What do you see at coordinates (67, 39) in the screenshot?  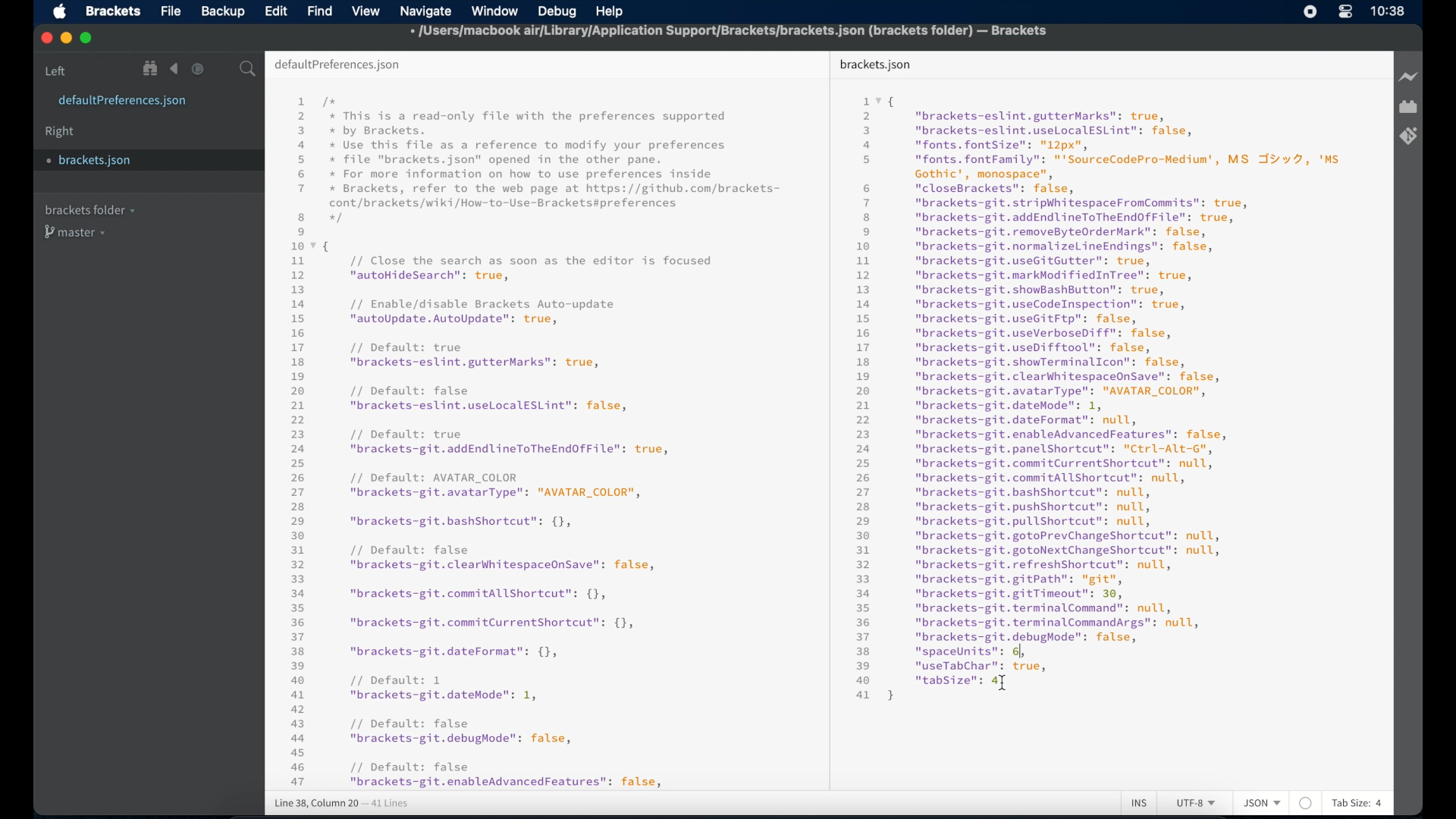 I see `minimize` at bounding box center [67, 39].